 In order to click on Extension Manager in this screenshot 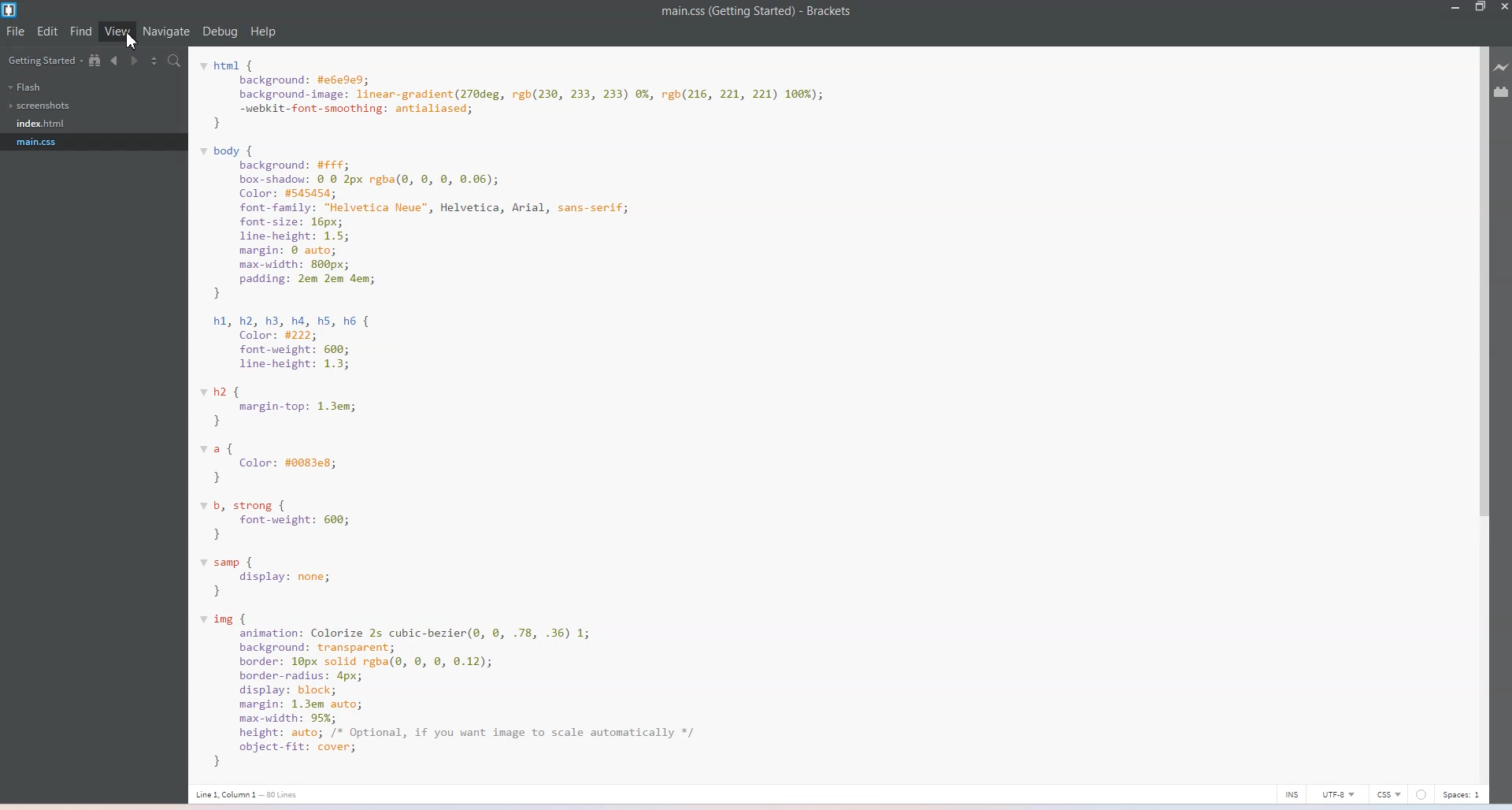, I will do `click(1502, 91)`.